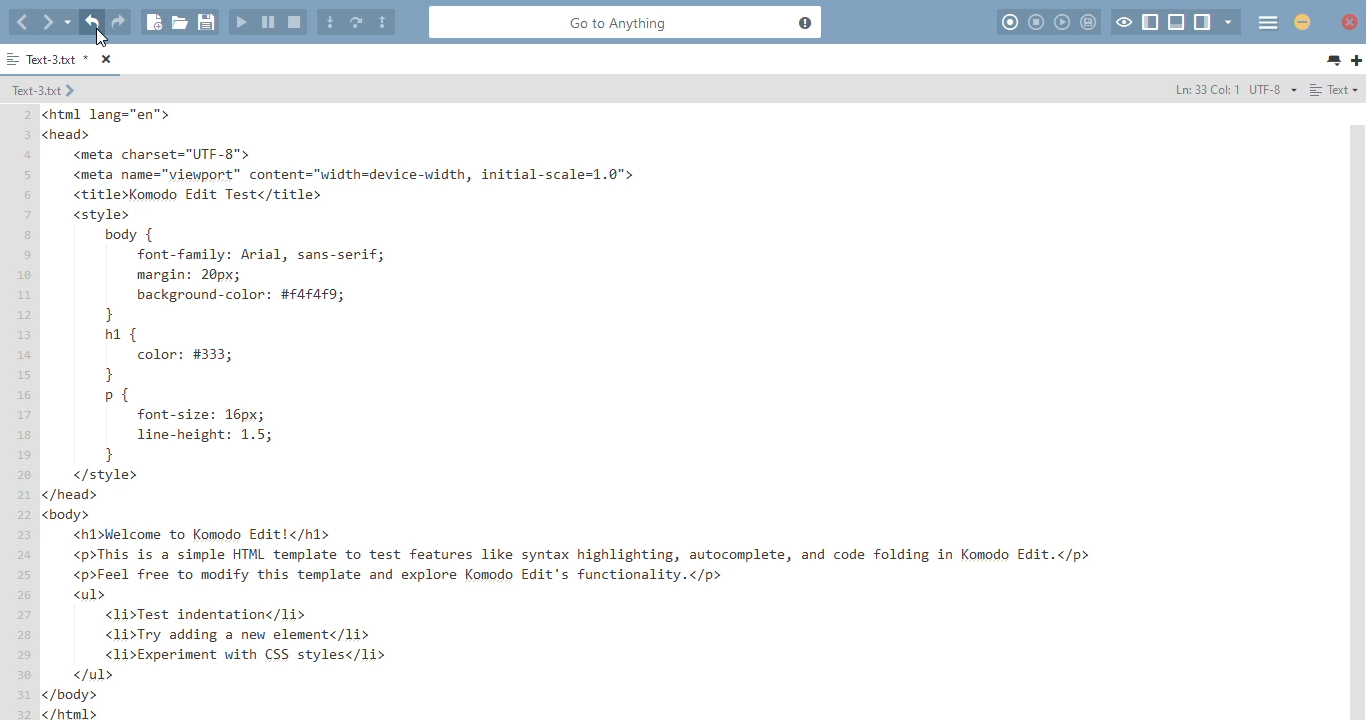 The width and height of the screenshot is (1366, 720). I want to click on start or continue debugging, so click(242, 21).